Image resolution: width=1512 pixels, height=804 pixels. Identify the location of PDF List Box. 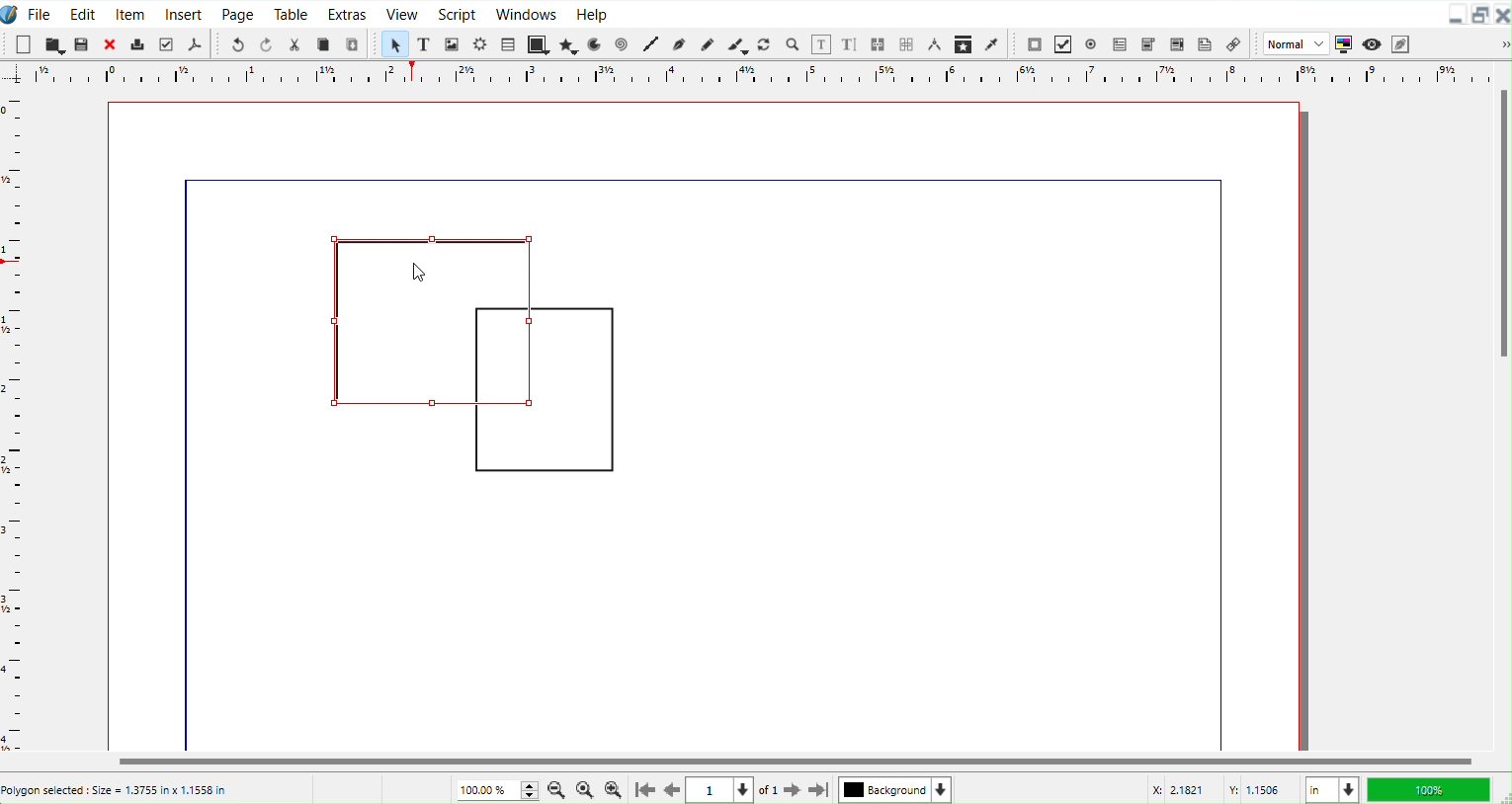
(1176, 42).